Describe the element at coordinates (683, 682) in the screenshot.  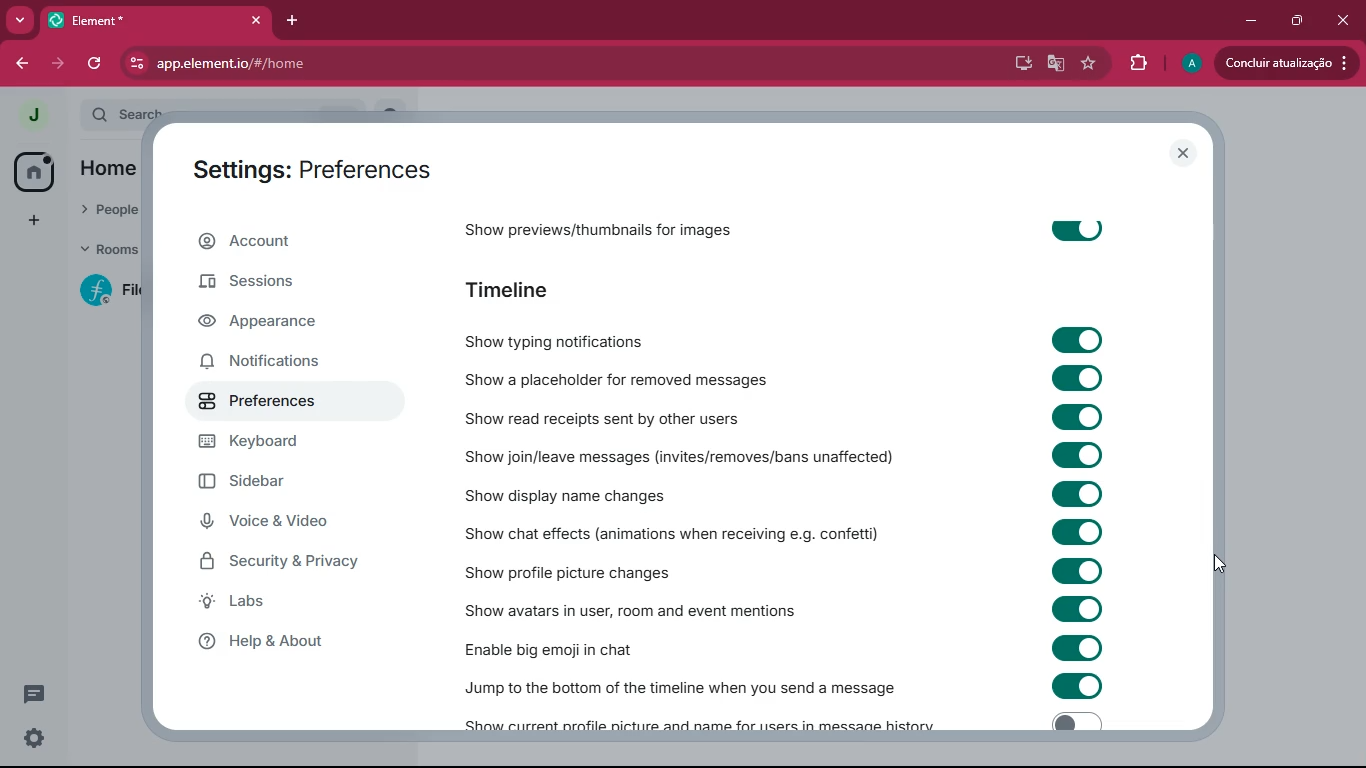
I see `jump to the bottom of the timeline when you send a message` at that location.